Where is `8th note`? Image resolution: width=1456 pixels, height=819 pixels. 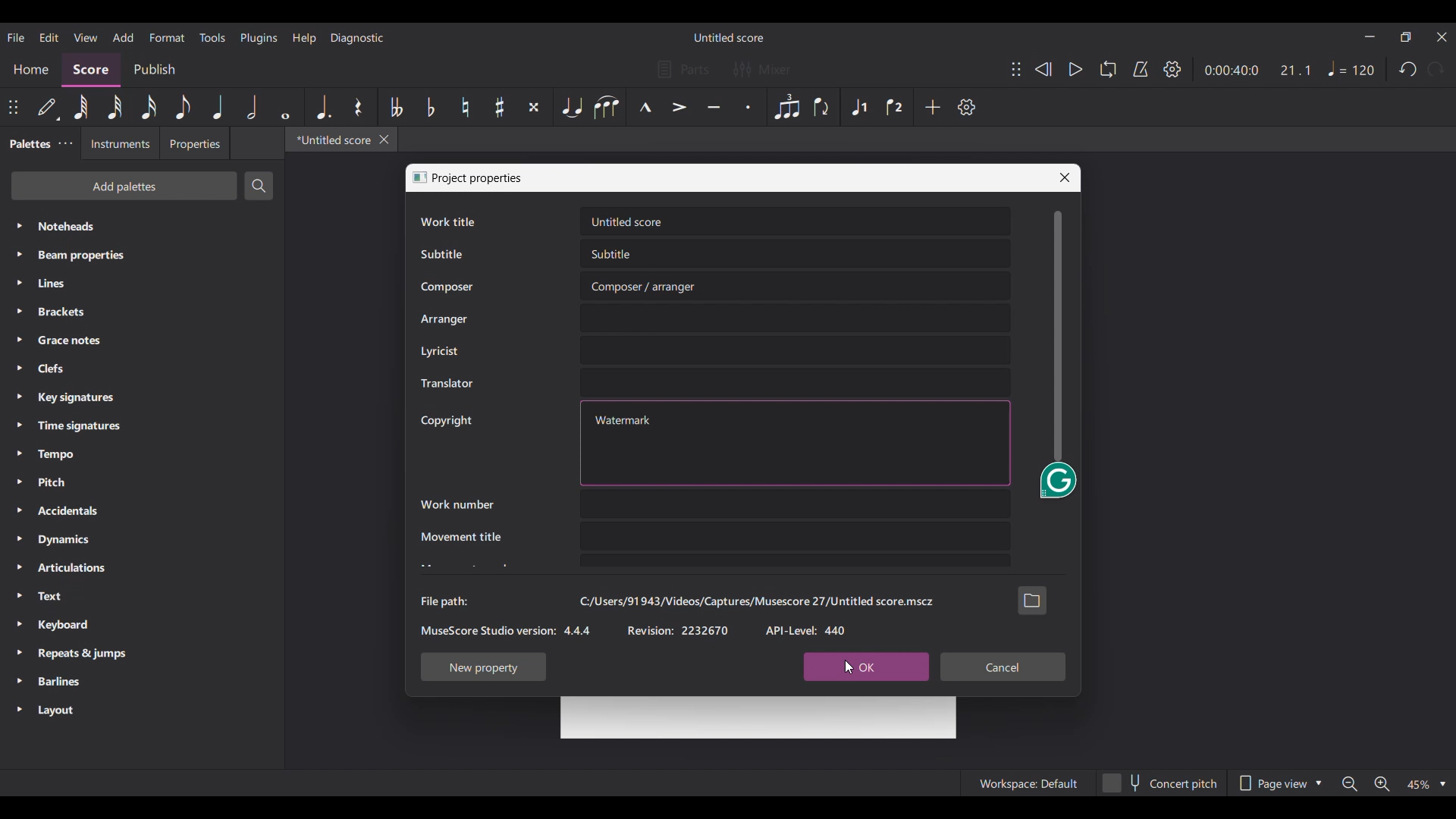 8th note is located at coordinates (183, 107).